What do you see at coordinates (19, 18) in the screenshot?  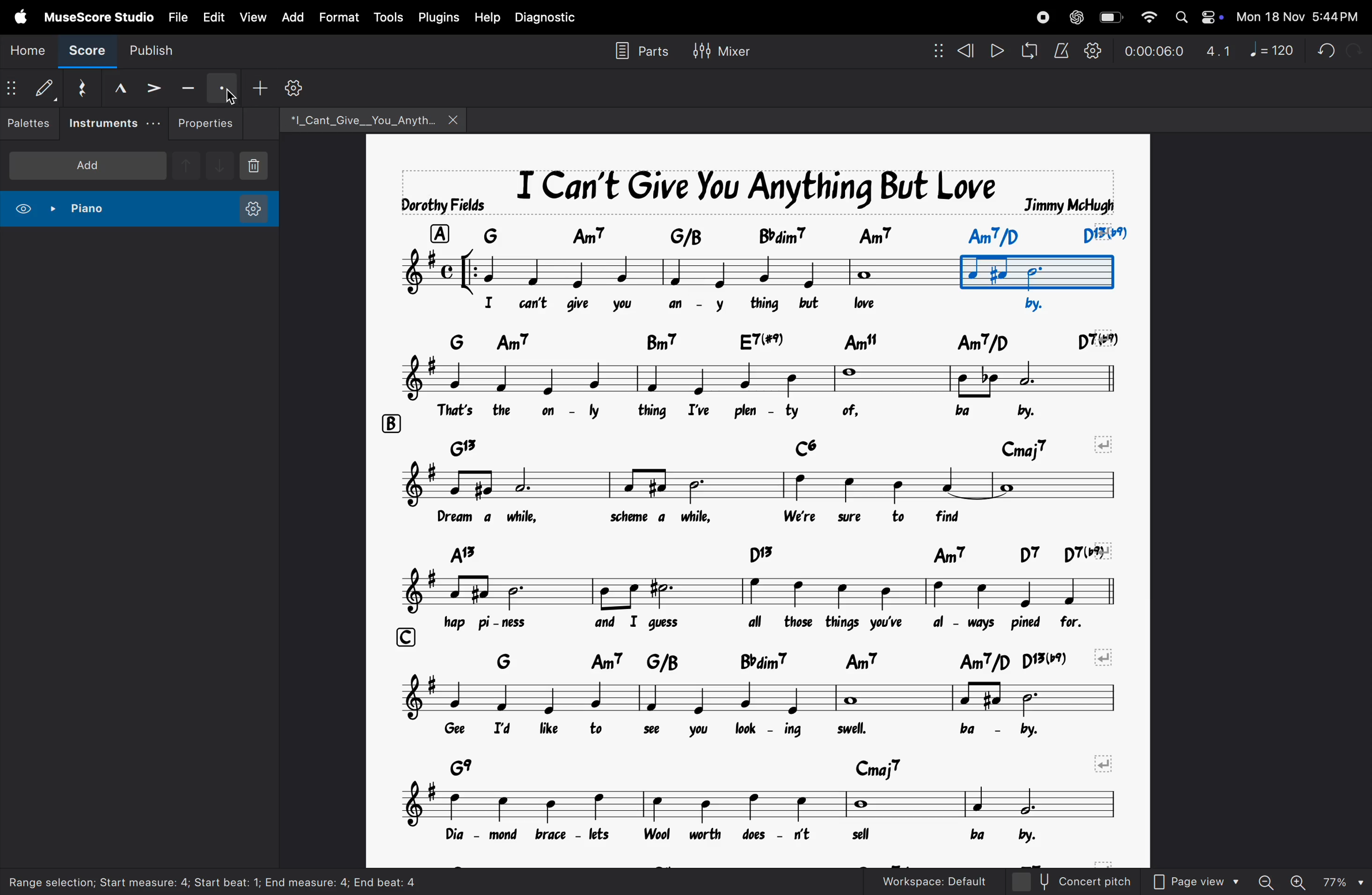 I see `apple menu` at bounding box center [19, 18].